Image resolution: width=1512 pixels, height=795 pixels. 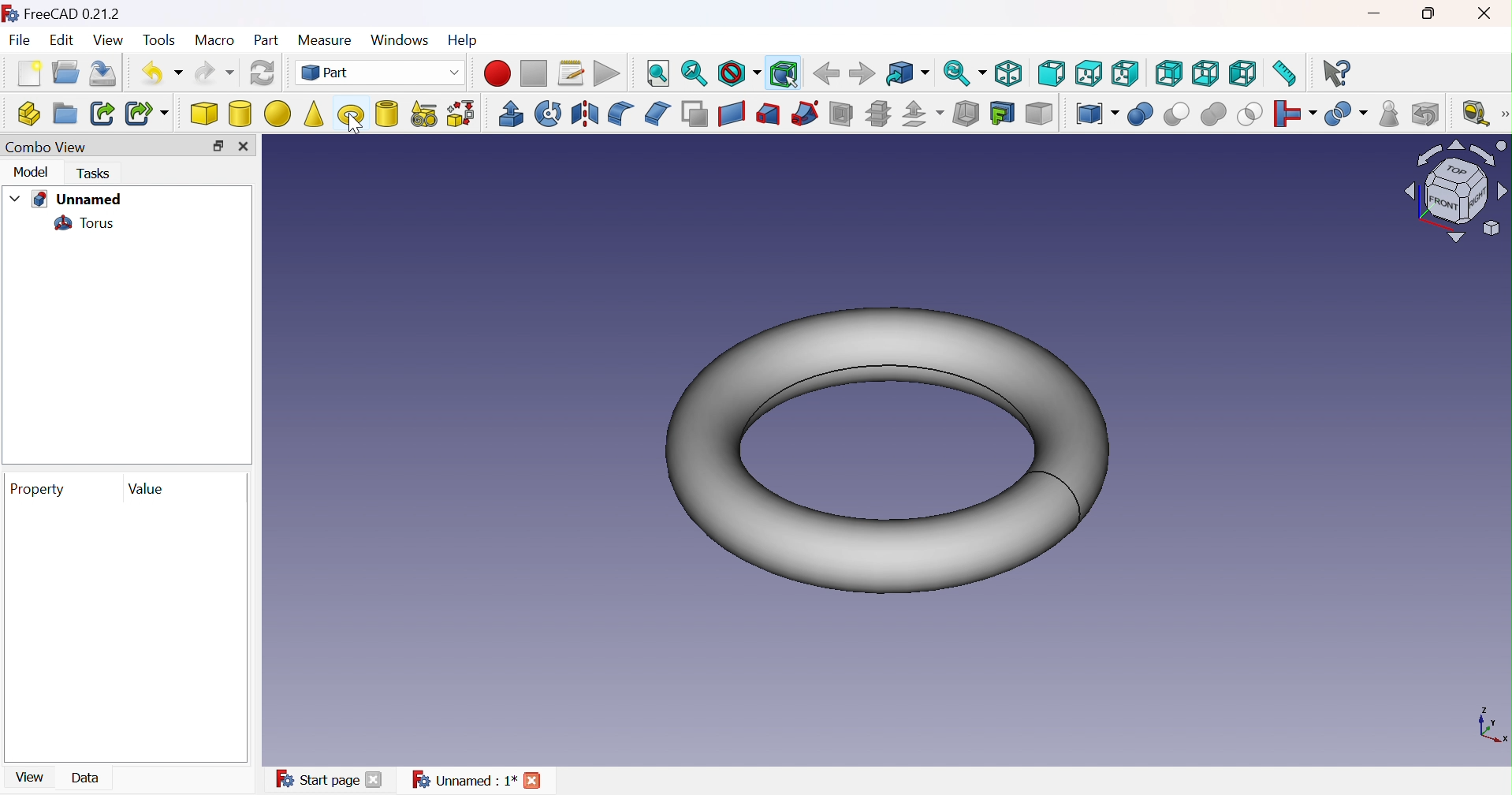 What do you see at coordinates (1089, 73) in the screenshot?
I see `Top` at bounding box center [1089, 73].